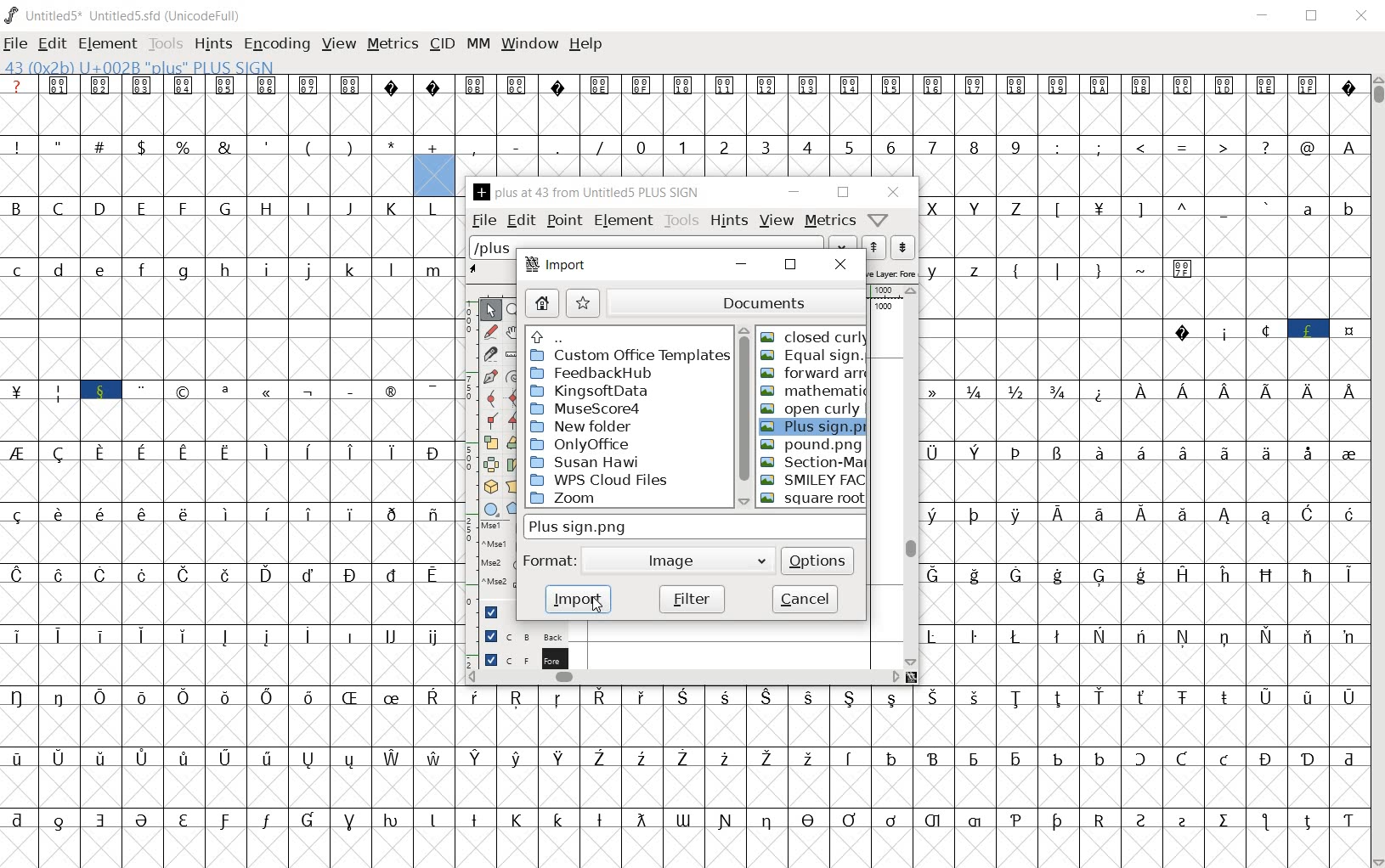  I want to click on Latin extended characters, so click(1202, 534).